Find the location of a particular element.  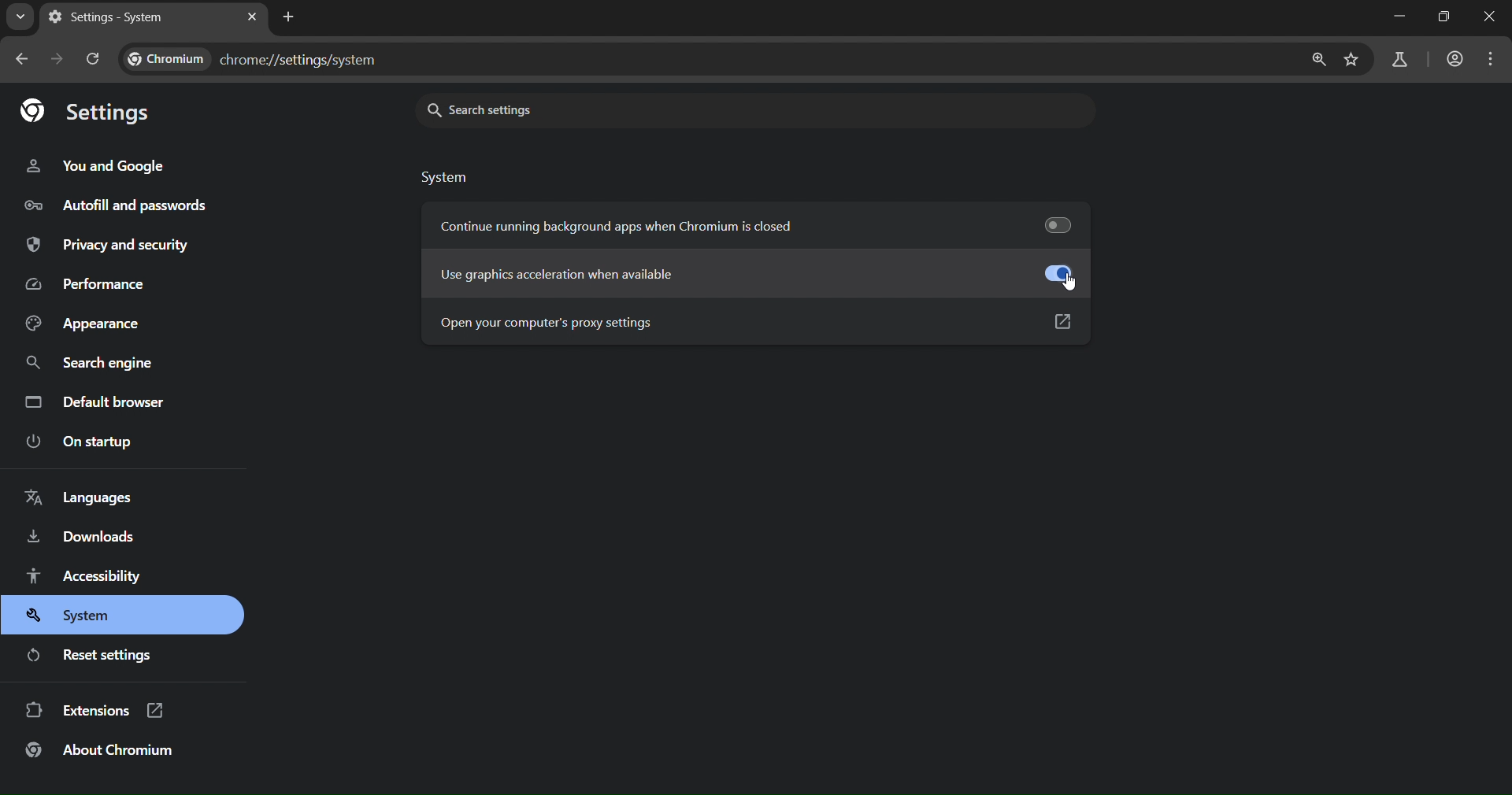

continue running background apps when chromium is closed is located at coordinates (621, 224).